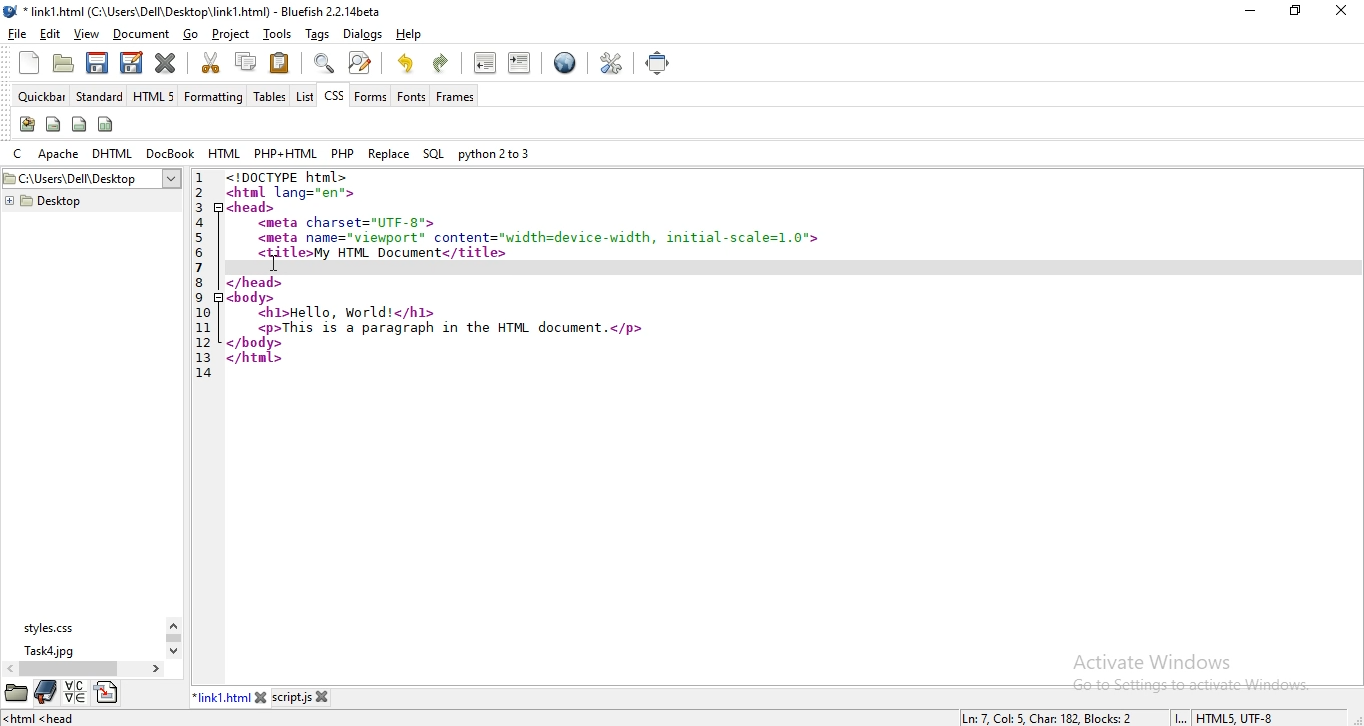  I want to click on c, so click(20, 154).